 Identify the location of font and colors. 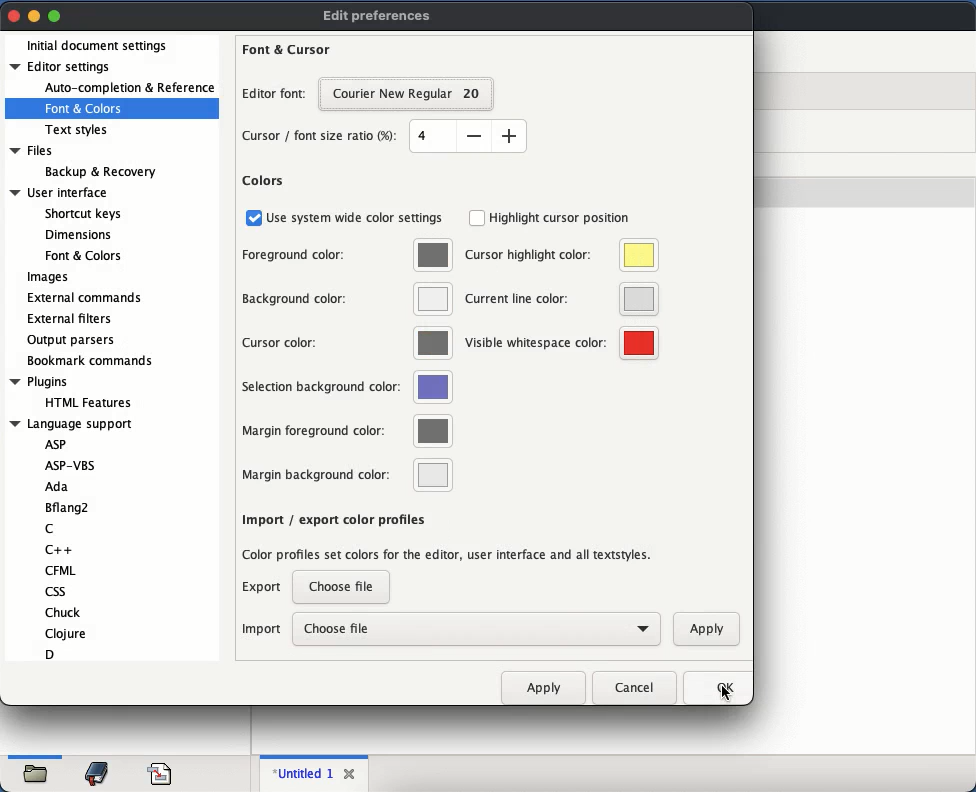
(85, 106).